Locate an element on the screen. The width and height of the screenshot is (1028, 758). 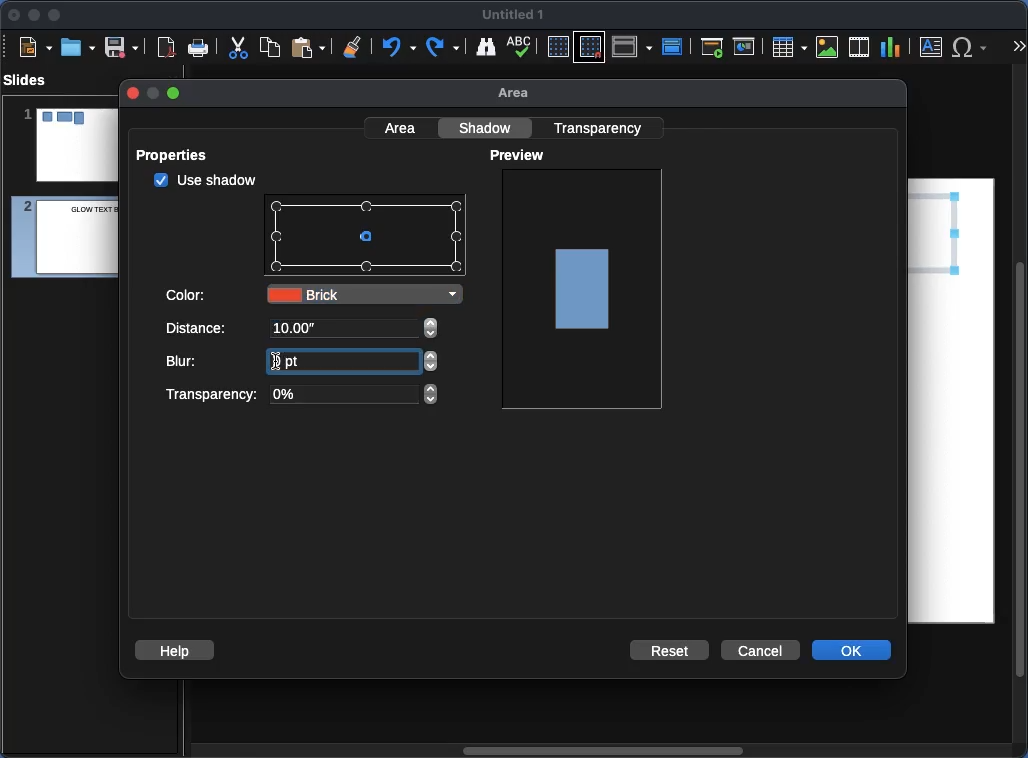
Transparency is located at coordinates (299, 395).